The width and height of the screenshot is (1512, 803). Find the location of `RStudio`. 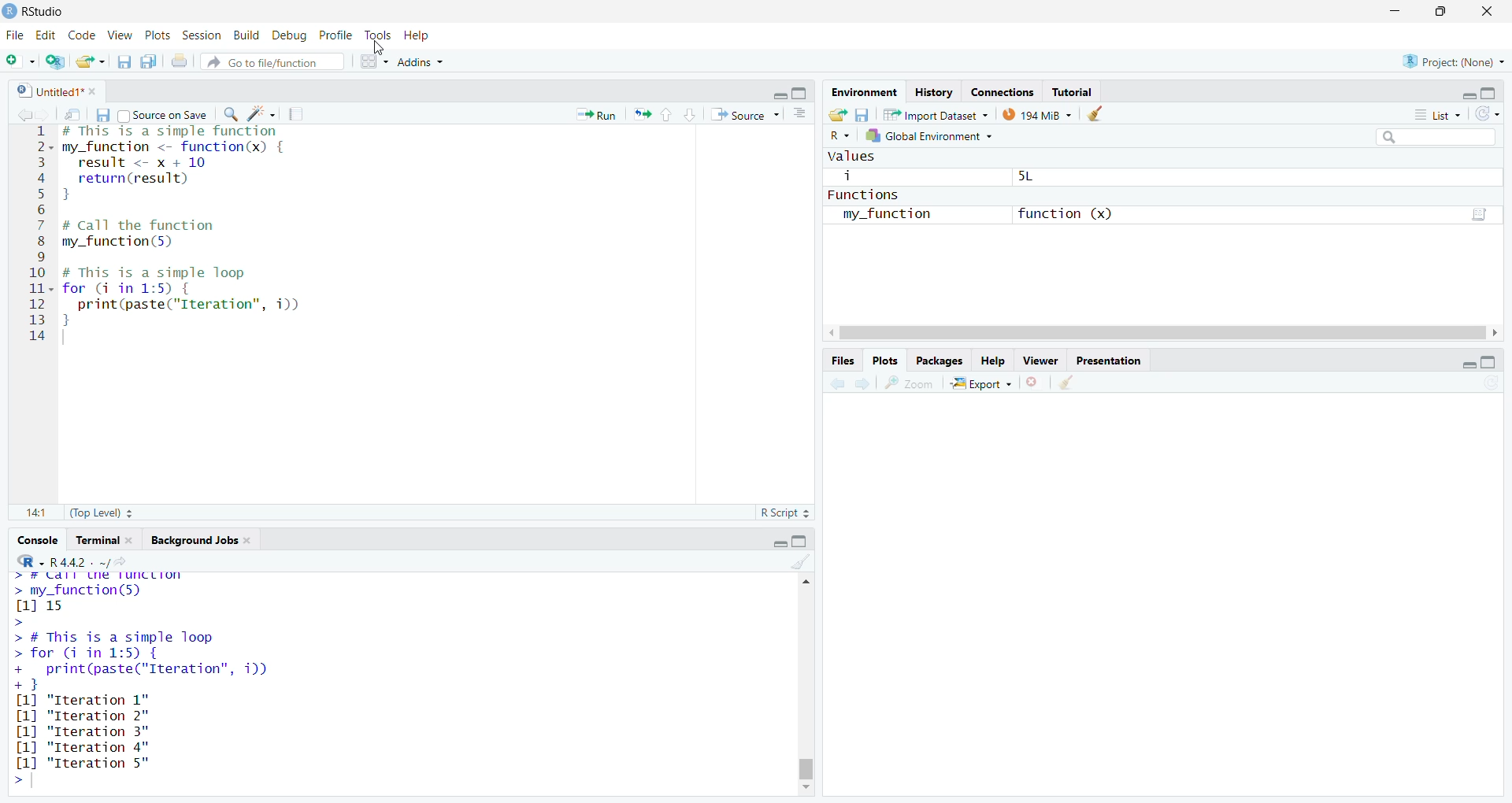

RStudio is located at coordinates (51, 9).